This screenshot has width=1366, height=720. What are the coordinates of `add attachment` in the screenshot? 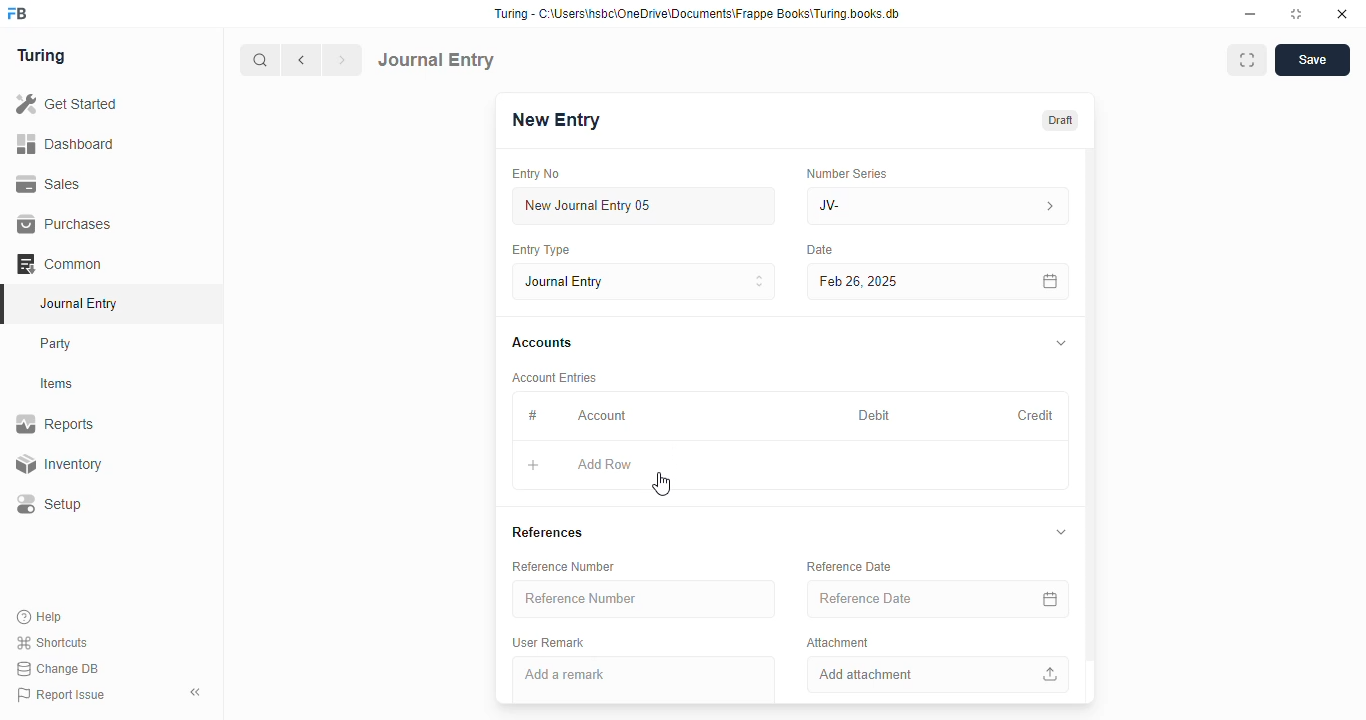 It's located at (939, 674).